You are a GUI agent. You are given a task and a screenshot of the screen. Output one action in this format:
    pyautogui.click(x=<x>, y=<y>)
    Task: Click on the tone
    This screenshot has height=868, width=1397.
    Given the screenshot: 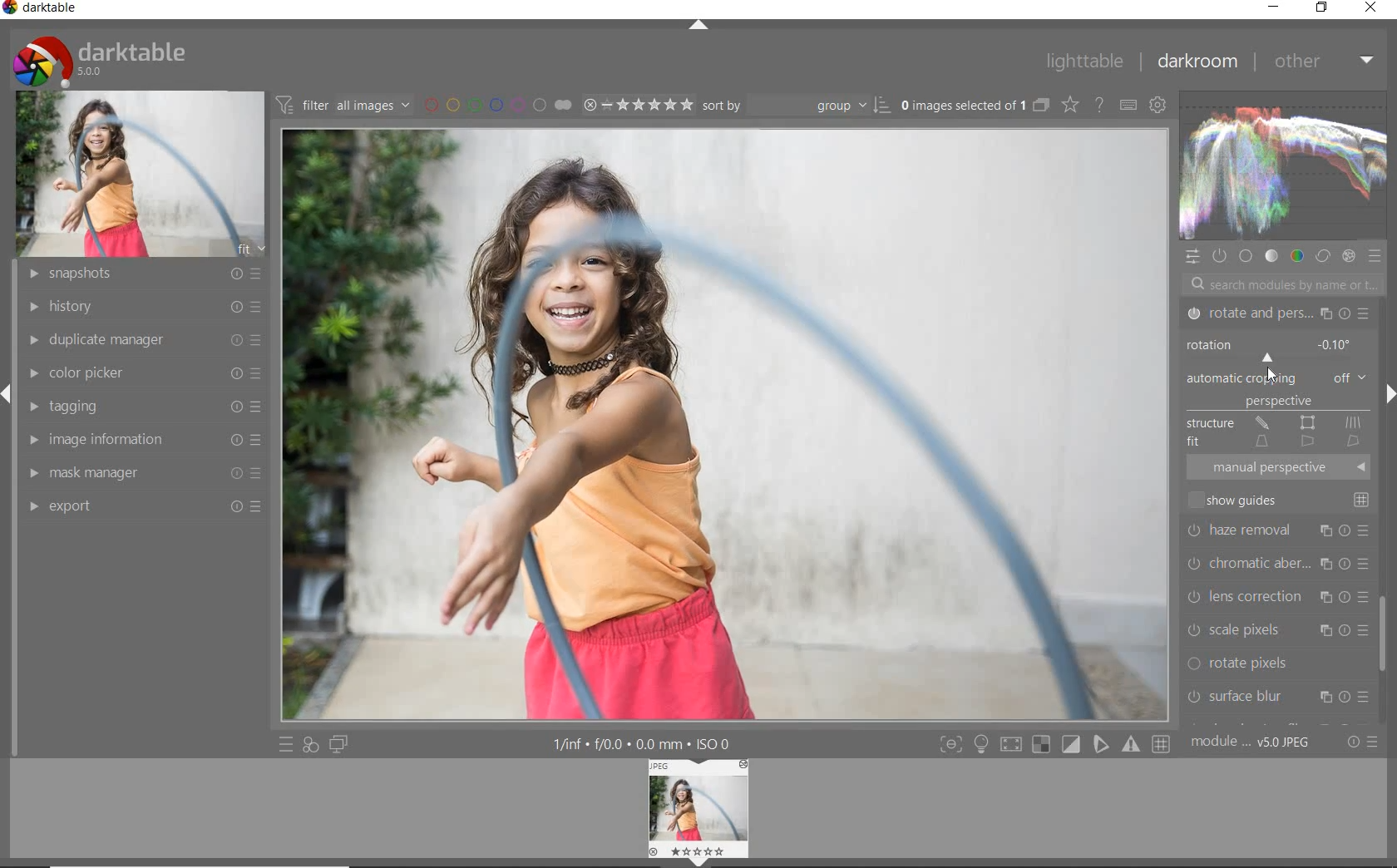 What is the action you would take?
    pyautogui.click(x=1271, y=256)
    